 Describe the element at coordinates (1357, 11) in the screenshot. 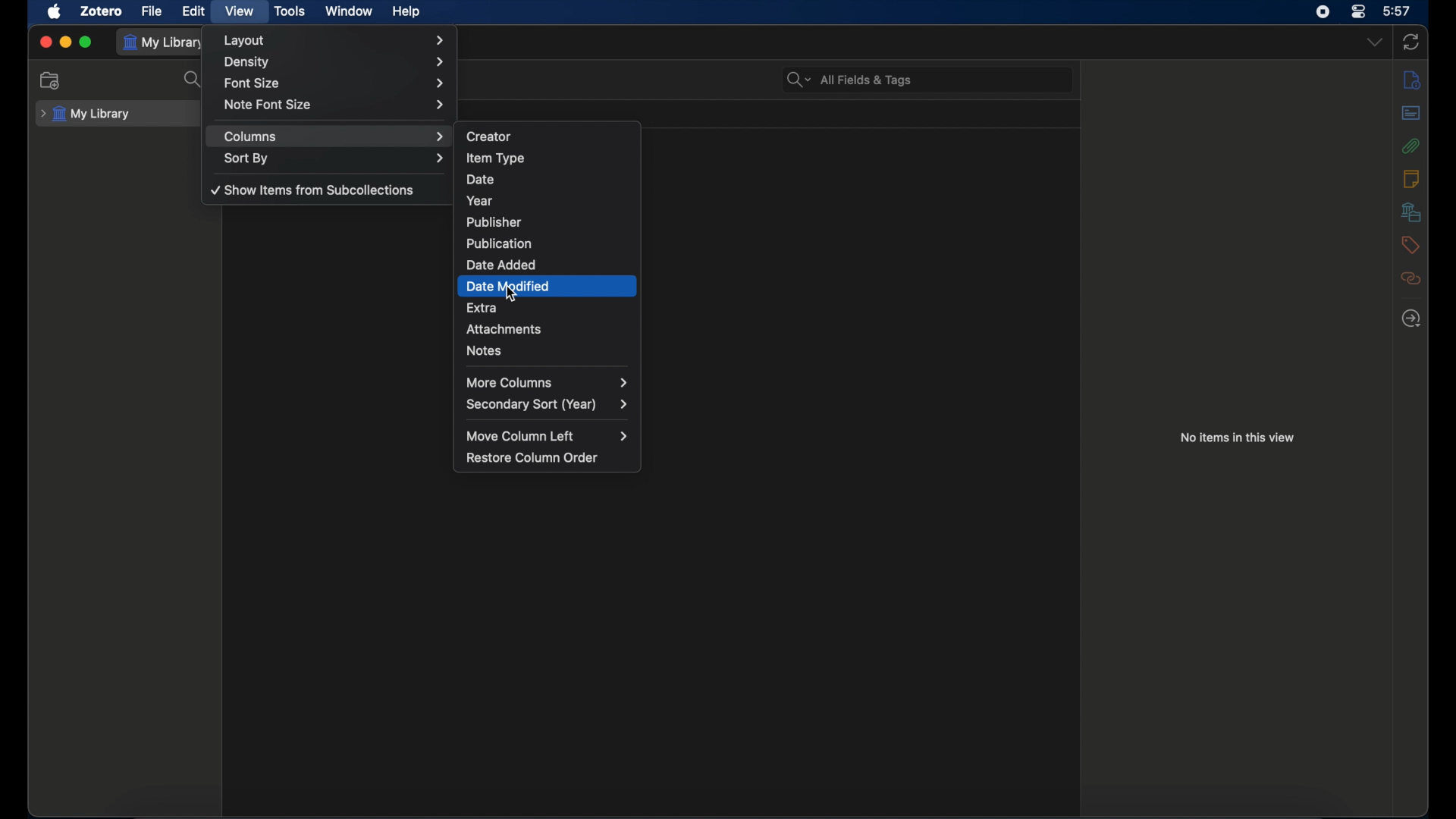

I see `control center` at that location.